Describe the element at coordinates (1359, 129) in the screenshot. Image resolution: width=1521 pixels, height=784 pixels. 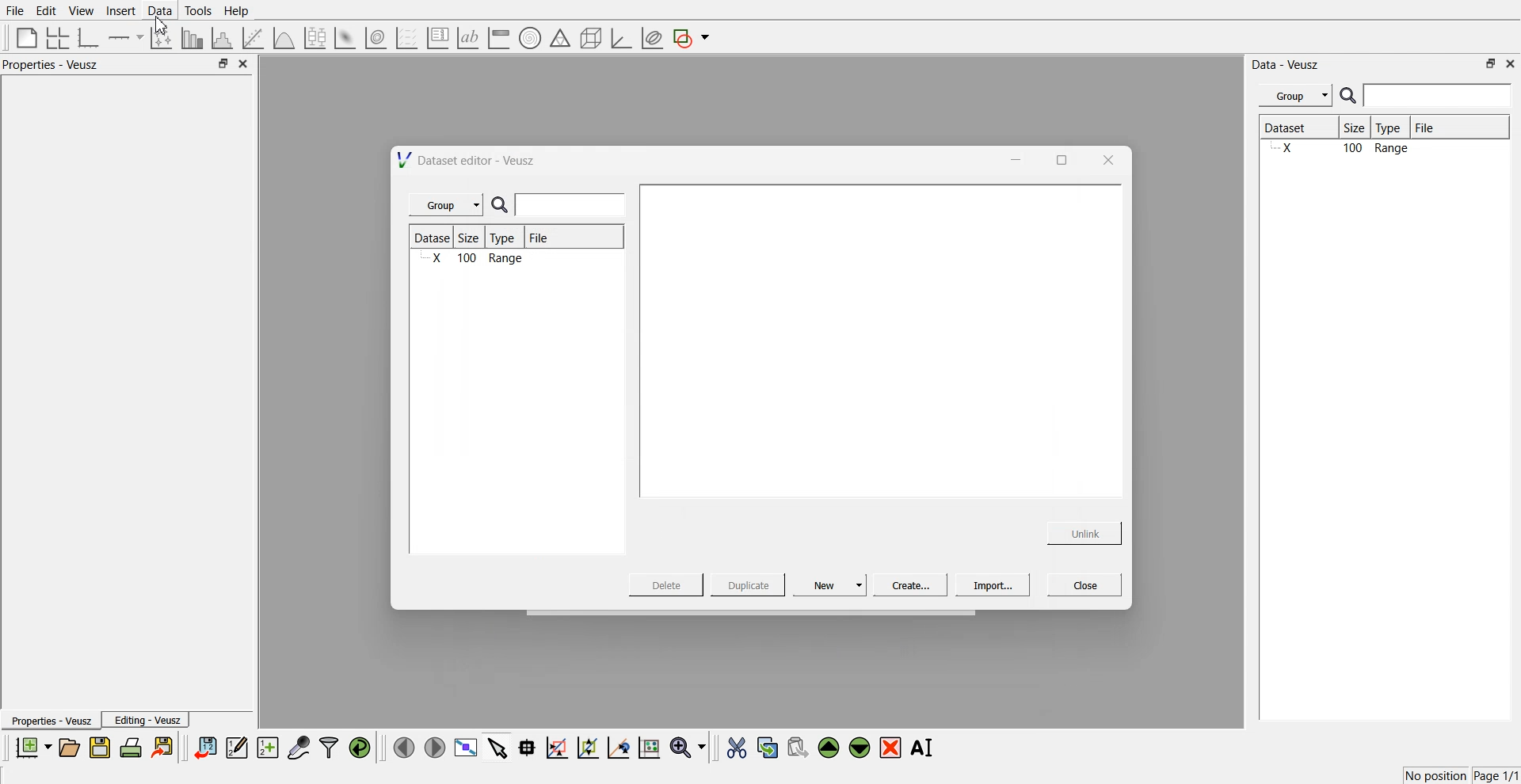
I see `Size` at that location.